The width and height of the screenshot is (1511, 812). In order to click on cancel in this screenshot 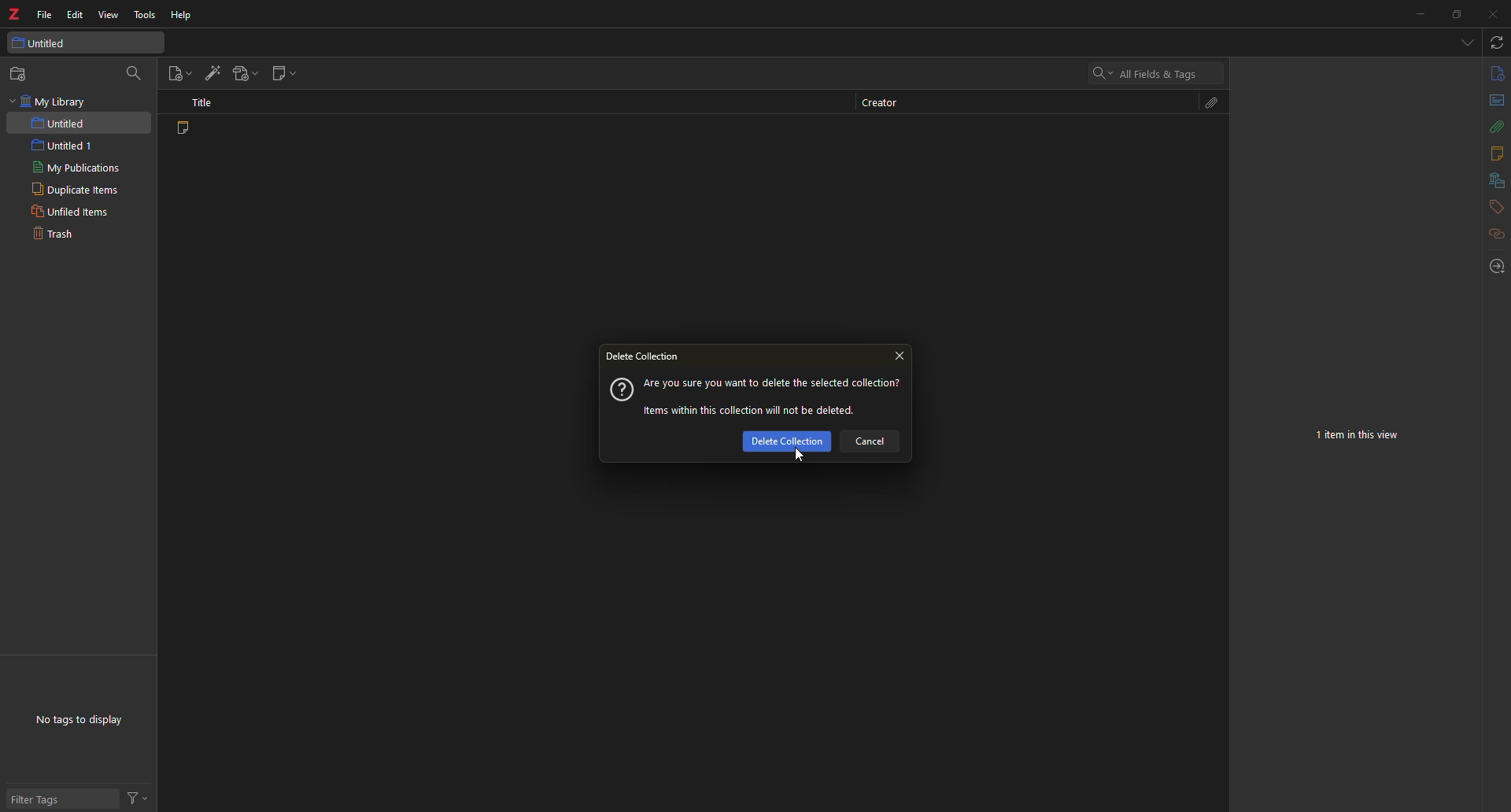, I will do `click(876, 441)`.